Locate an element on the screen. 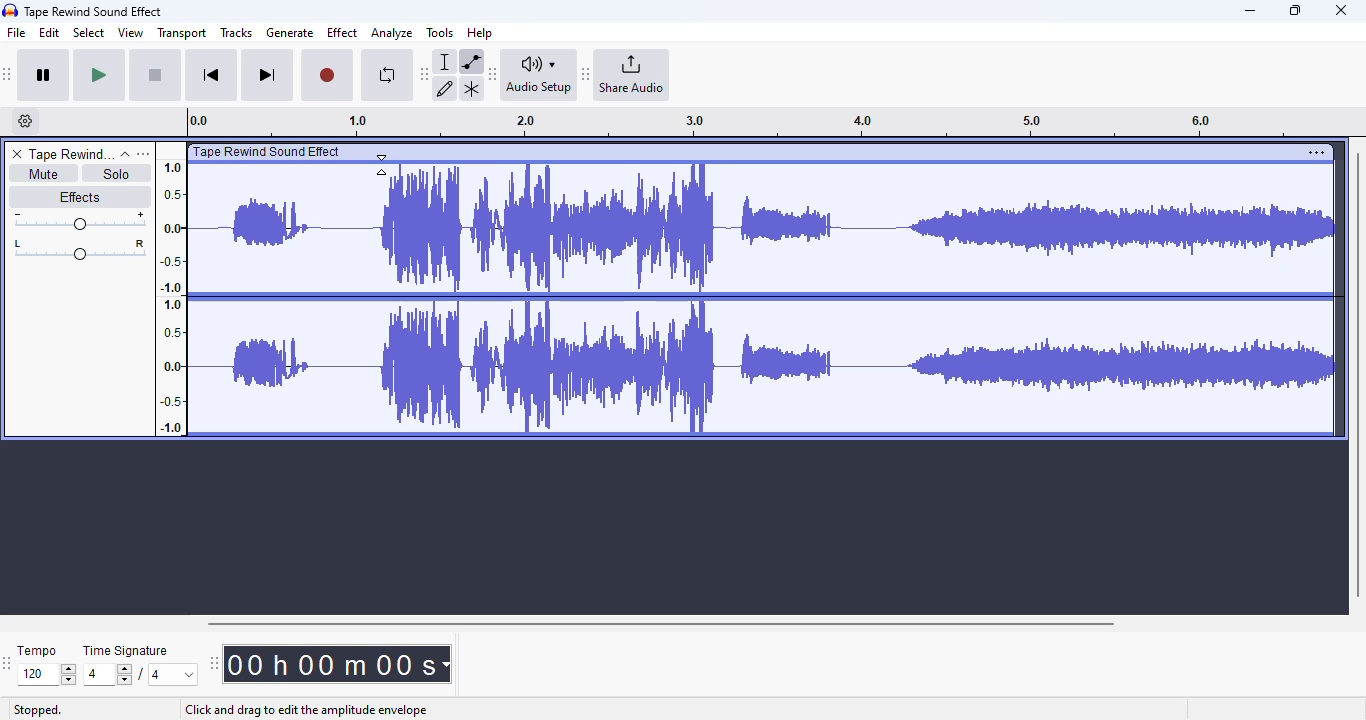 The image size is (1366, 720). select is located at coordinates (89, 32).